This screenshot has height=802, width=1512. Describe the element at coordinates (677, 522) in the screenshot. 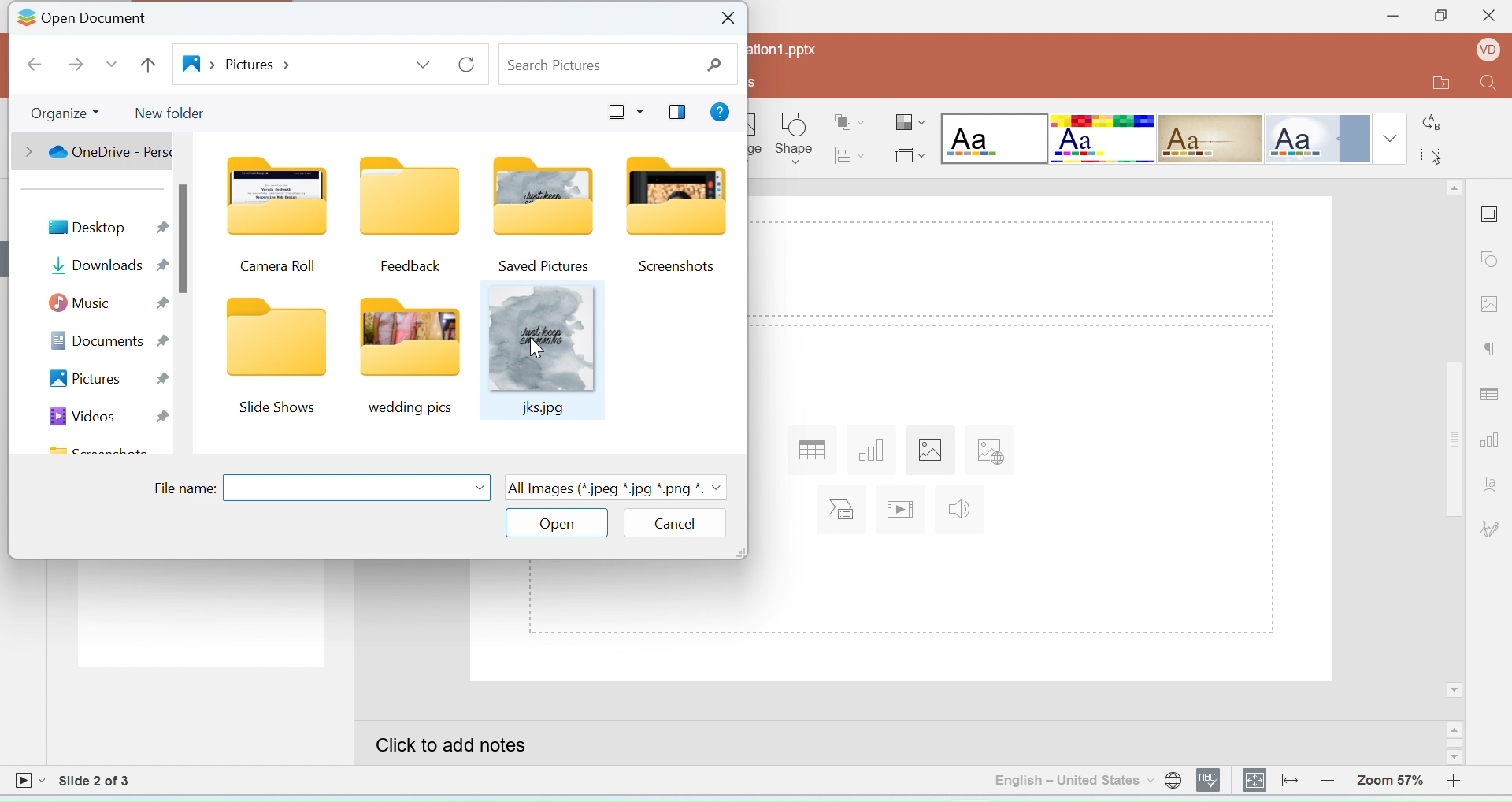

I see `cancel` at that location.